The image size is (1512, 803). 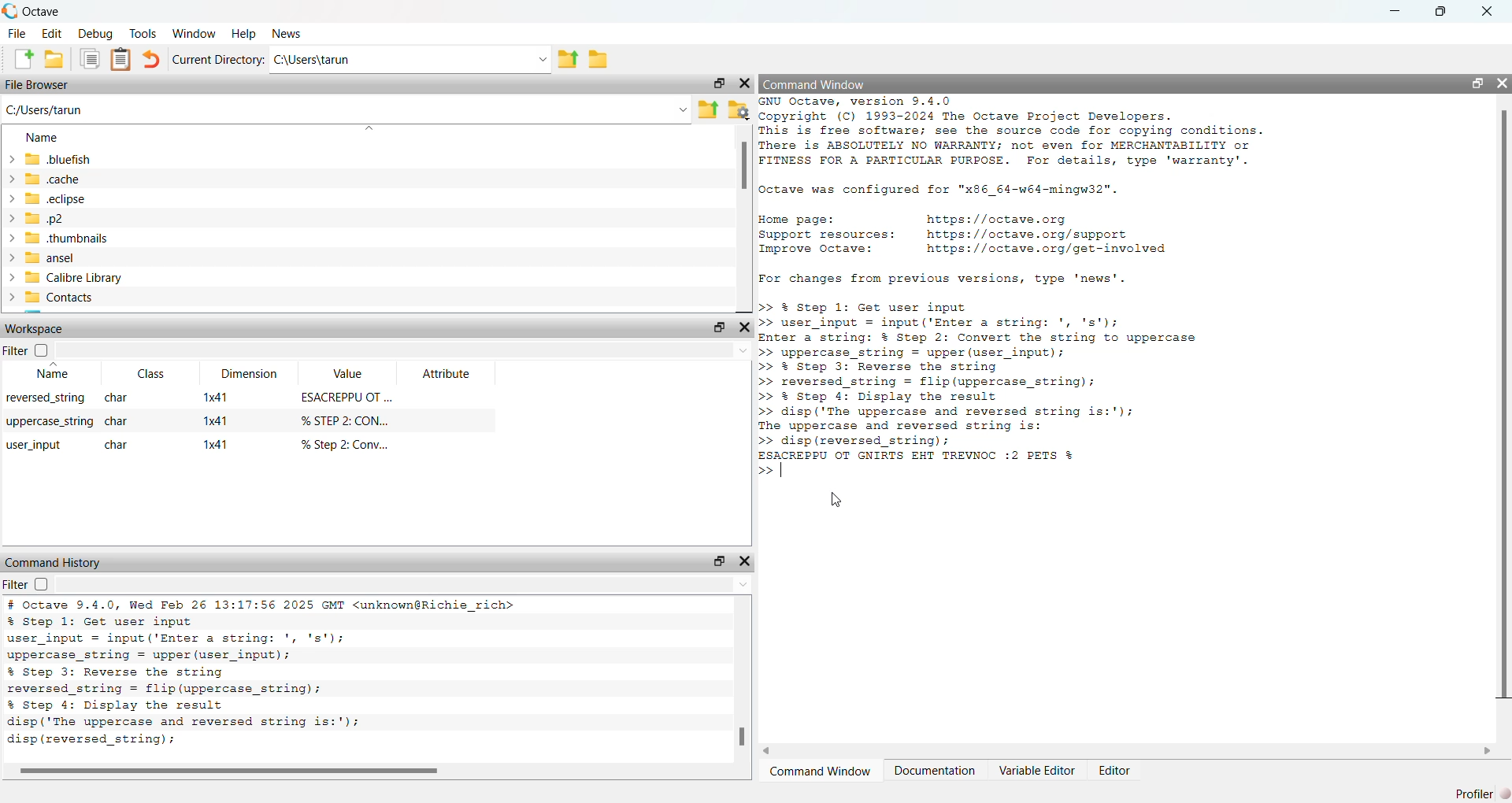 I want to click on profiler, so click(x=1482, y=791).